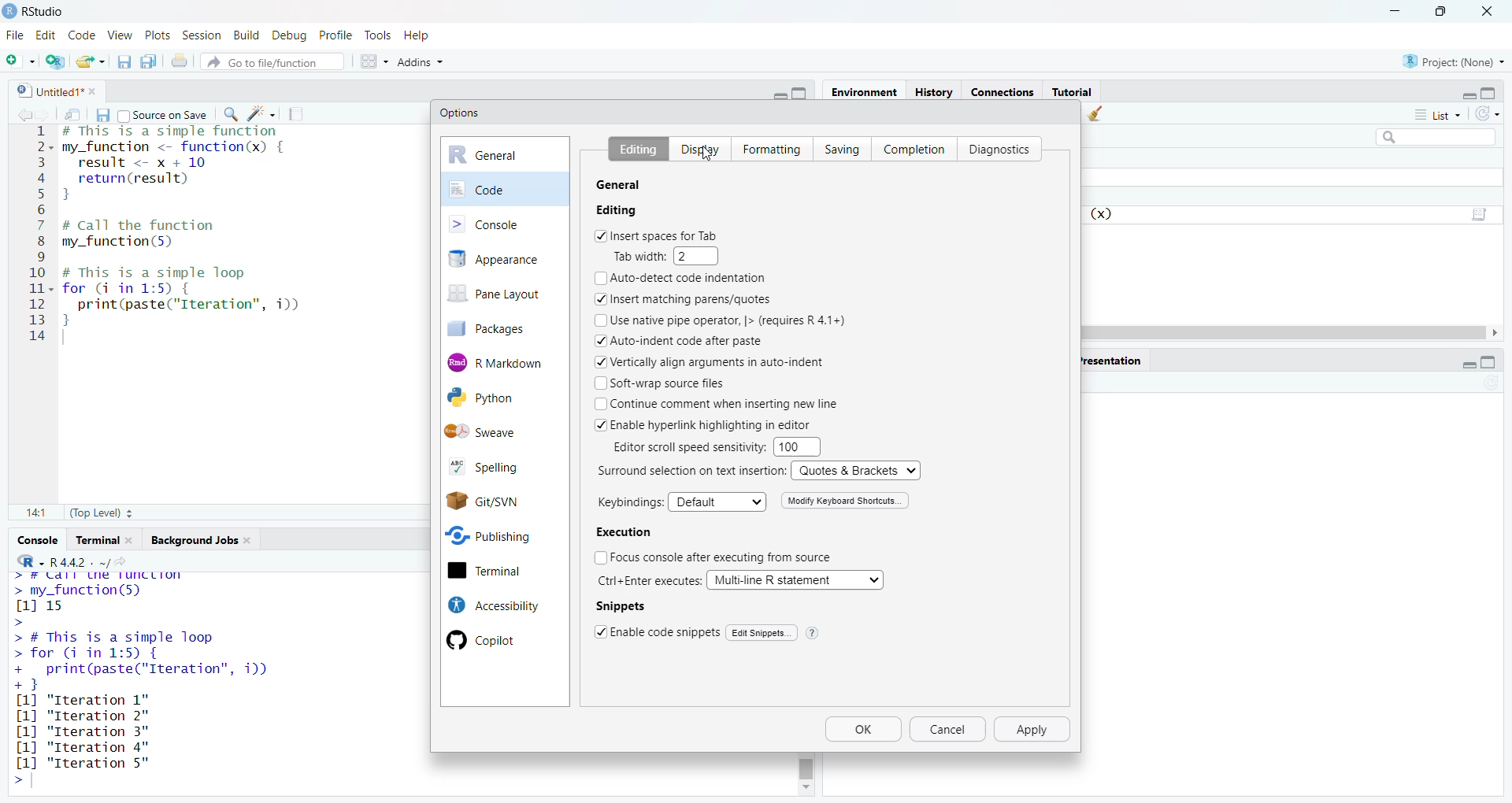 This screenshot has height=803, width=1512. Describe the element at coordinates (1436, 117) in the screenshot. I see `list` at that location.